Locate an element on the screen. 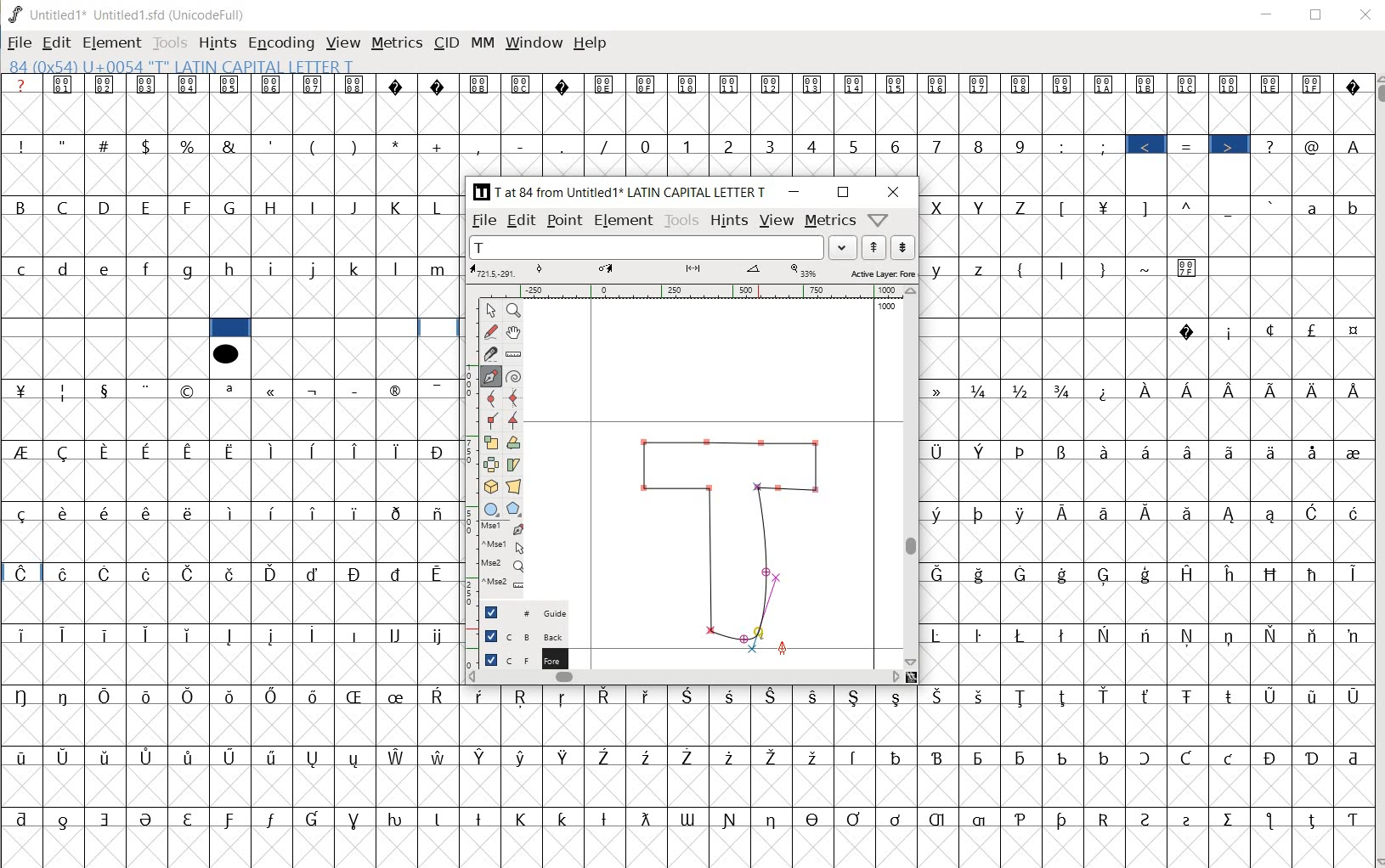 The height and width of the screenshot is (868, 1385). Symbol is located at coordinates (1025, 757).